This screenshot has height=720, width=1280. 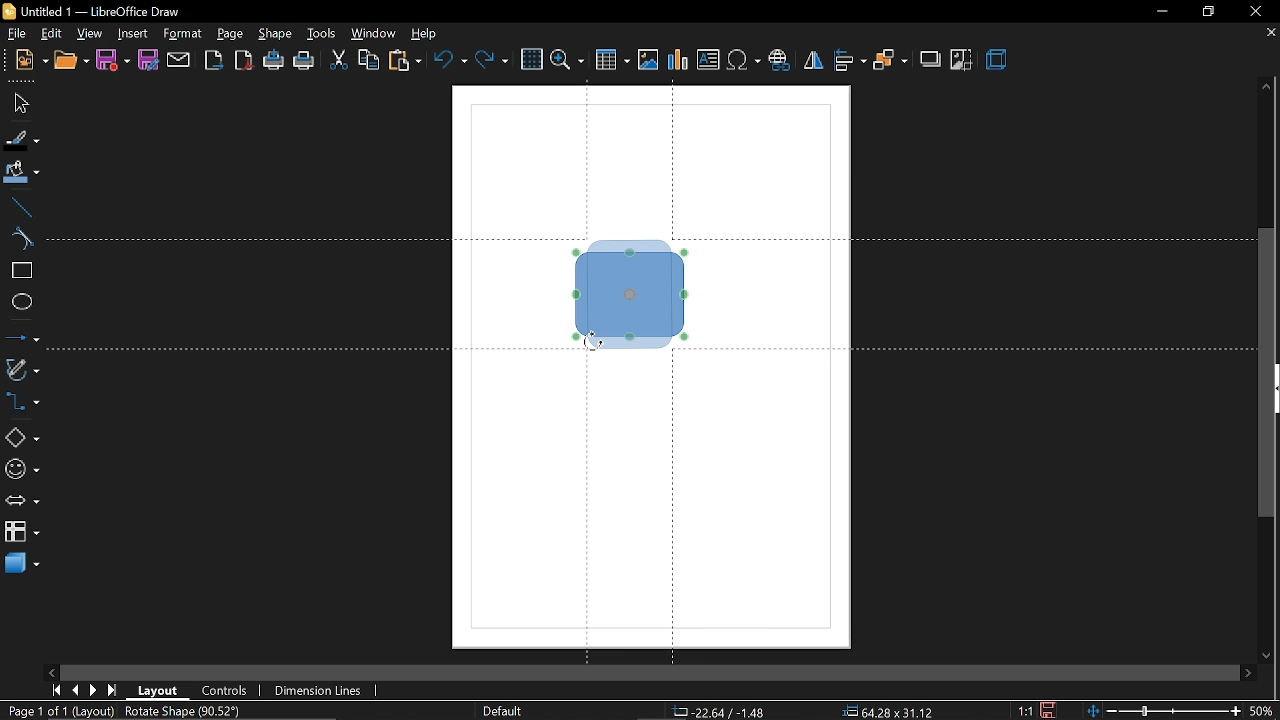 What do you see at coordinates (245, 59) in the screenshot?
I see `export as pdf` at bounding box center [245, 59].